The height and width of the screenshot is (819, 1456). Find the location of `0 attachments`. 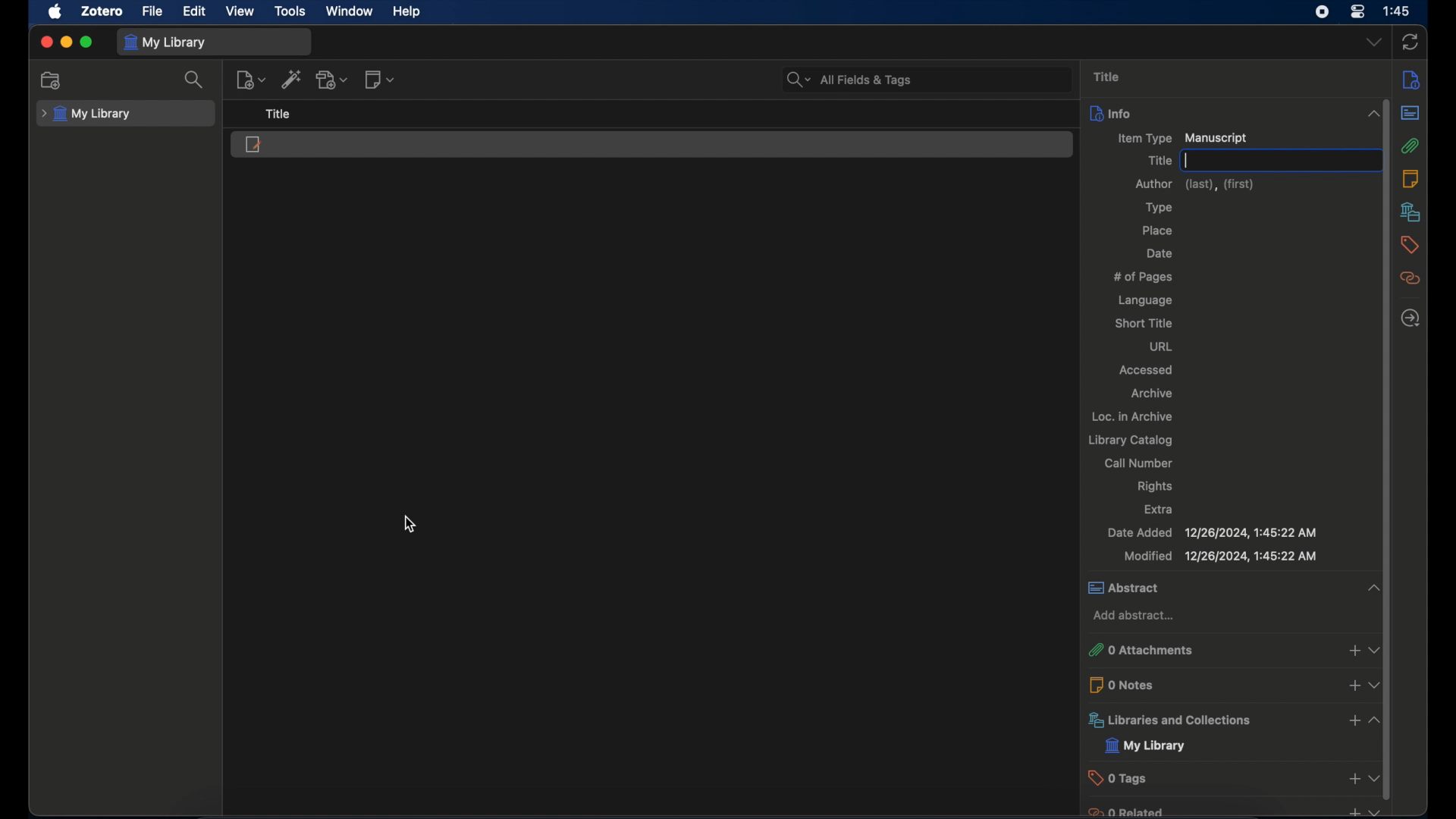

0 attachments is located at coordinates (1233, 650).